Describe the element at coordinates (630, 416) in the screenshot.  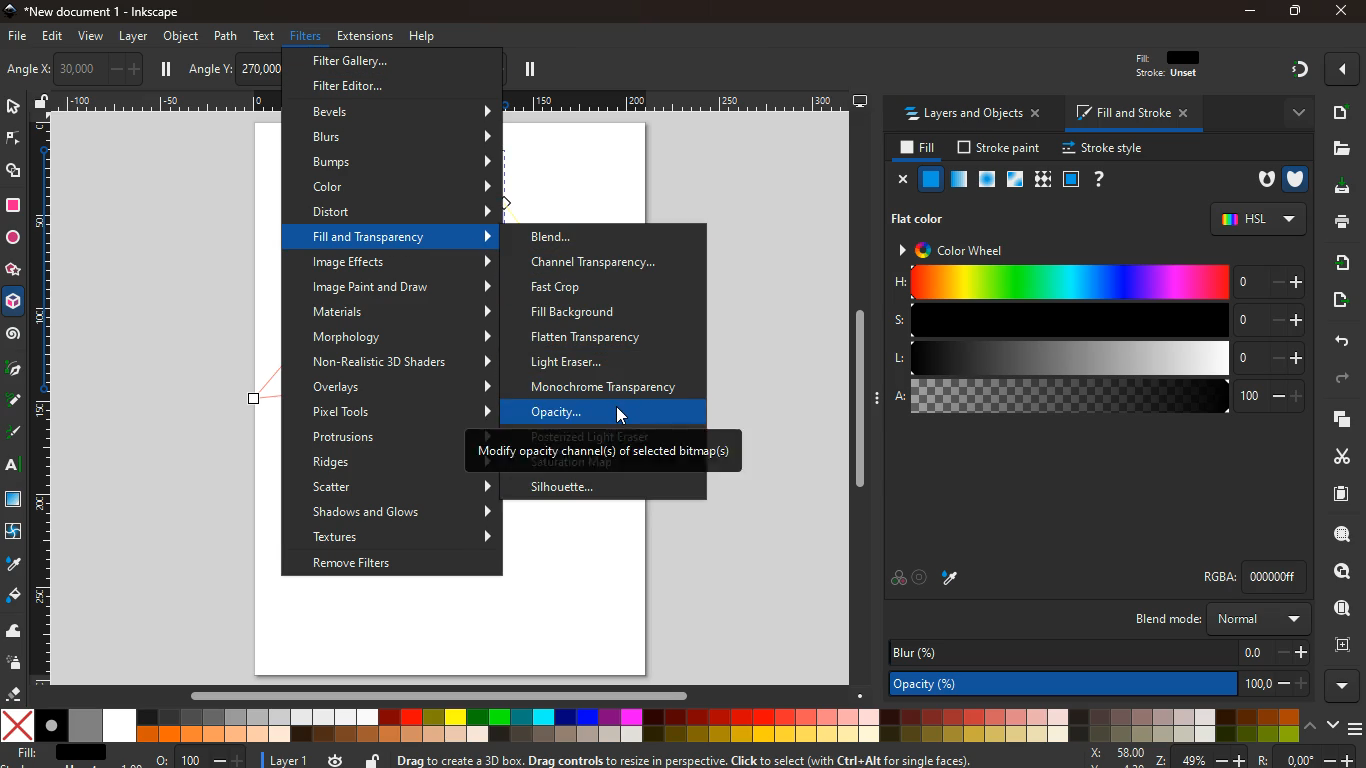
I see `Cursor` at that location.